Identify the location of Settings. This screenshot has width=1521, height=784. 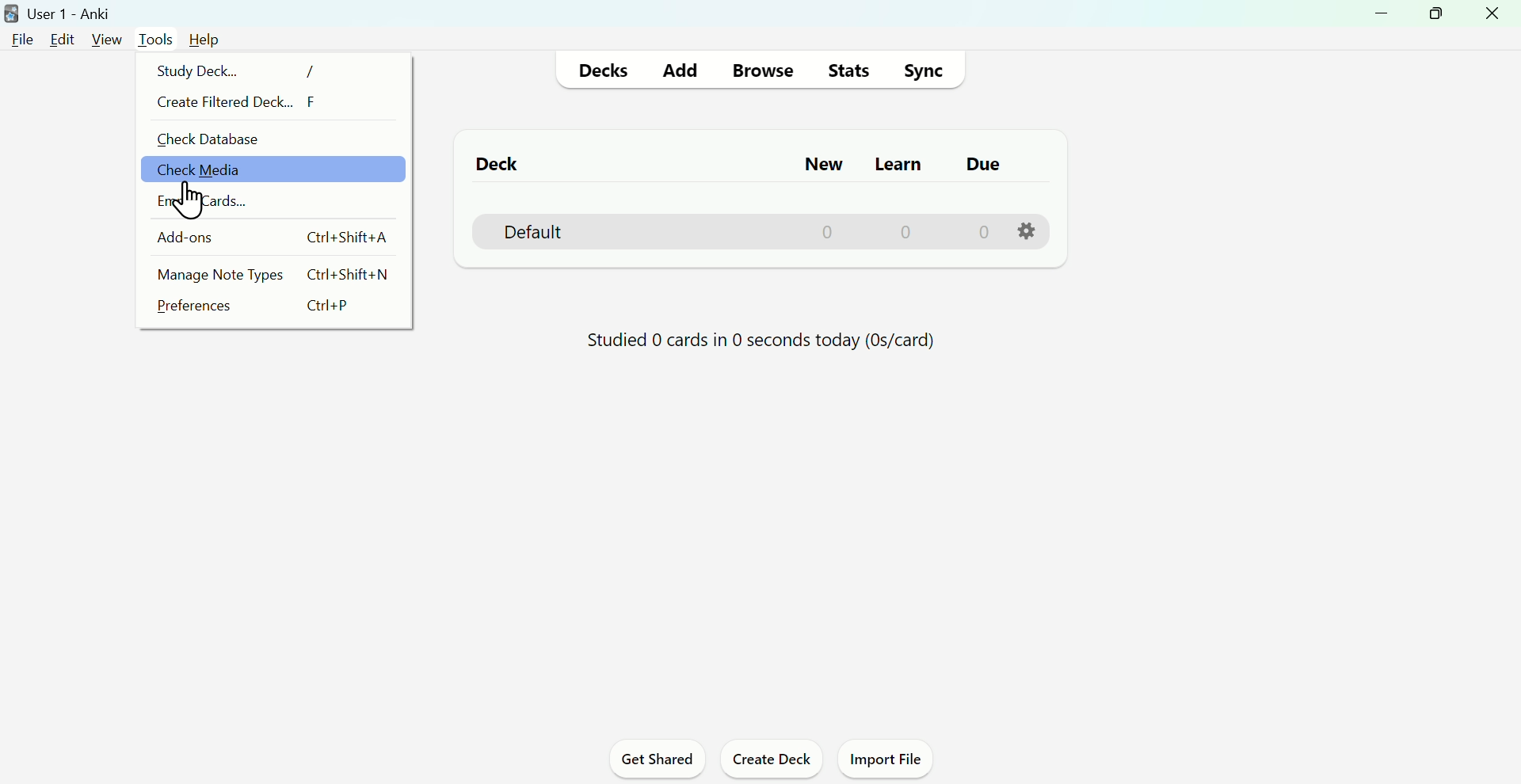
(1027, 232).